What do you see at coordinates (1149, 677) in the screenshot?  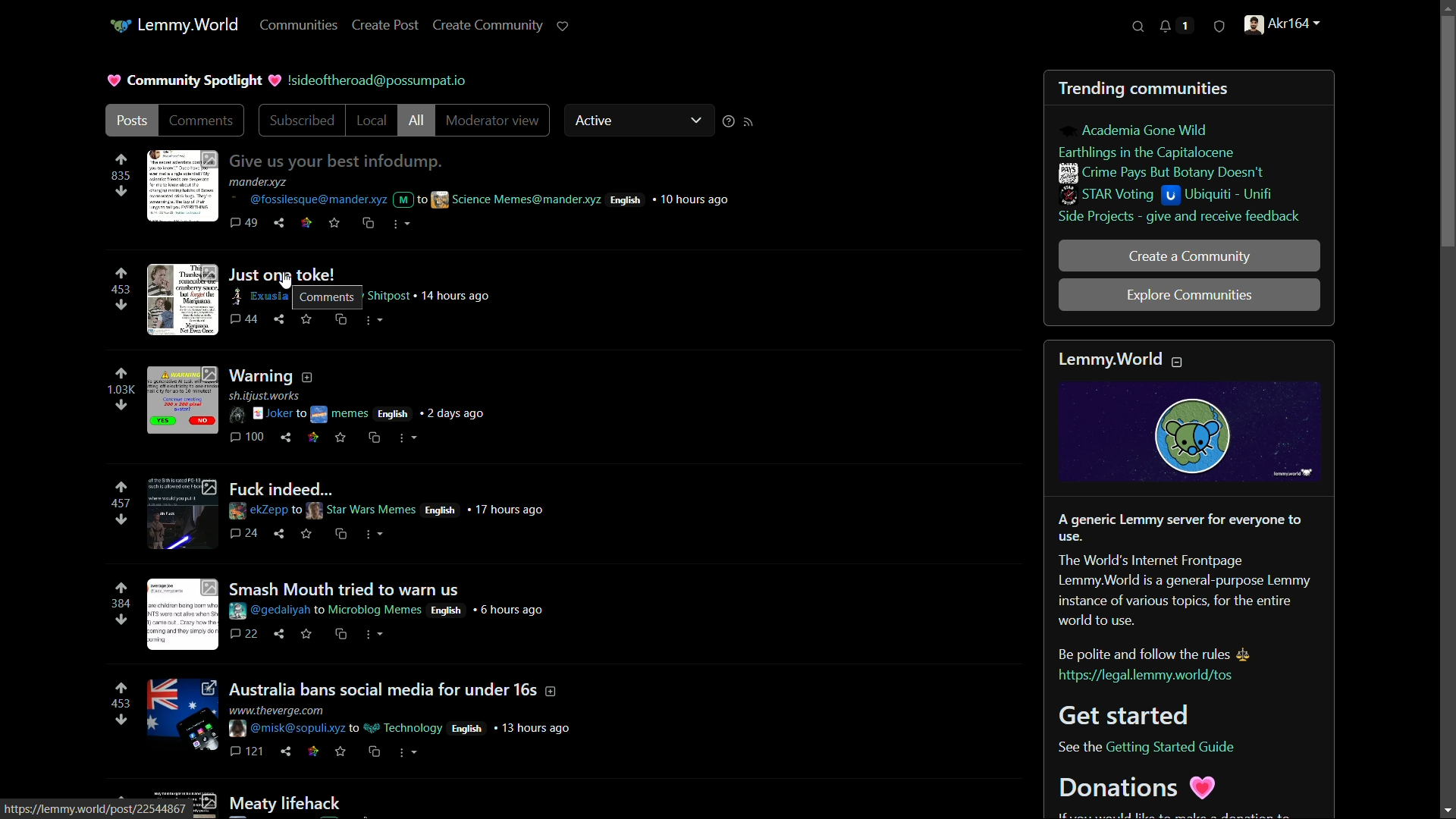 I see `https://legal lemmy.world/tos` at bounding box center [1149, 677].